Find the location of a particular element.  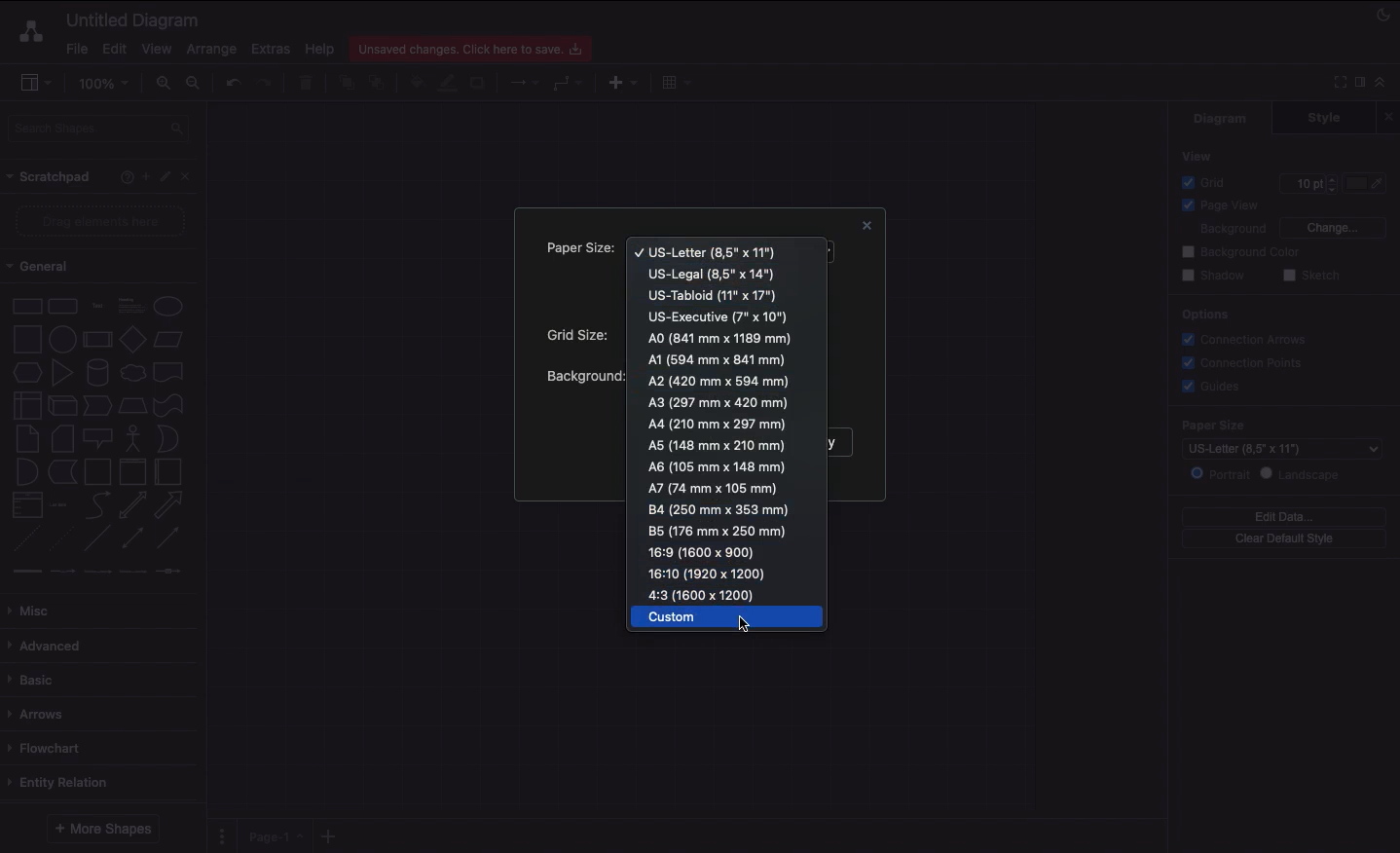

Paper size is located at coordinates (1279, 425).